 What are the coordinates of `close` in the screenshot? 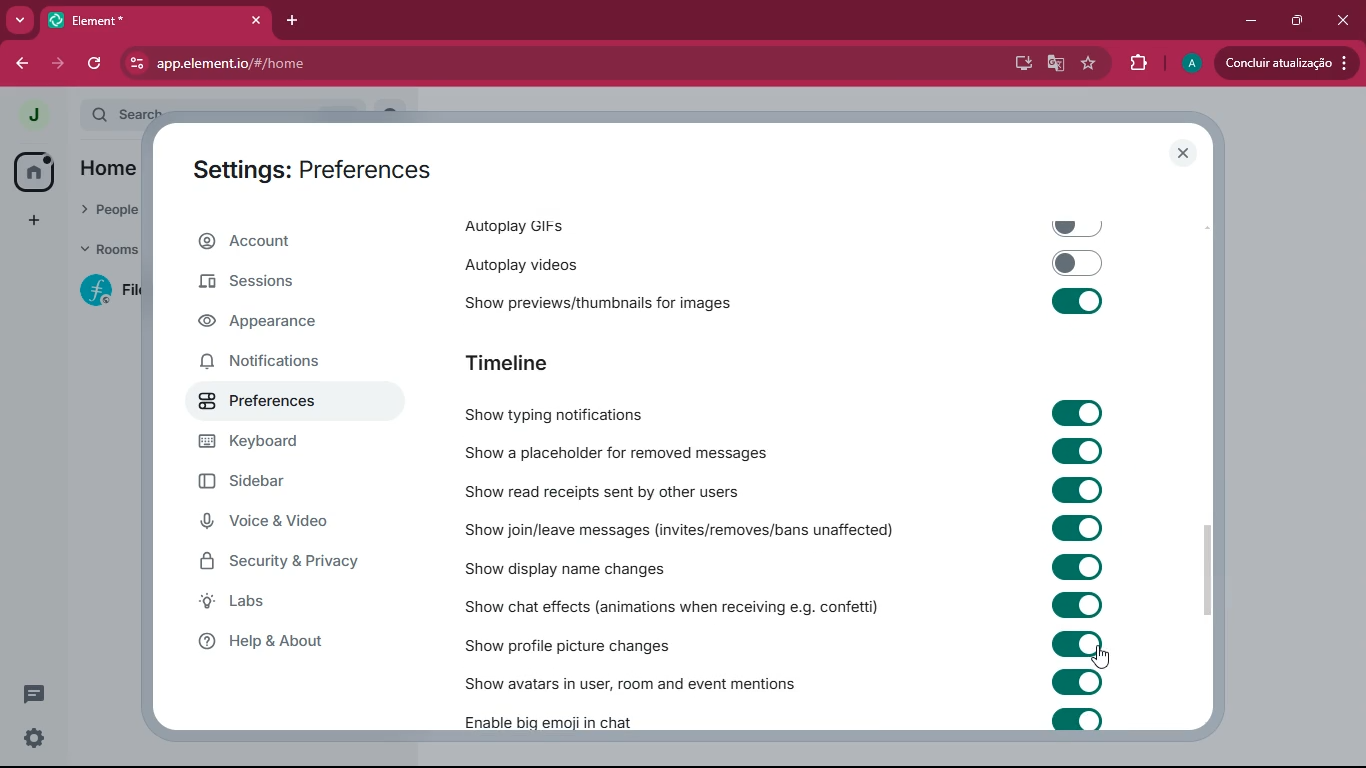 It's located at (1183, 153).